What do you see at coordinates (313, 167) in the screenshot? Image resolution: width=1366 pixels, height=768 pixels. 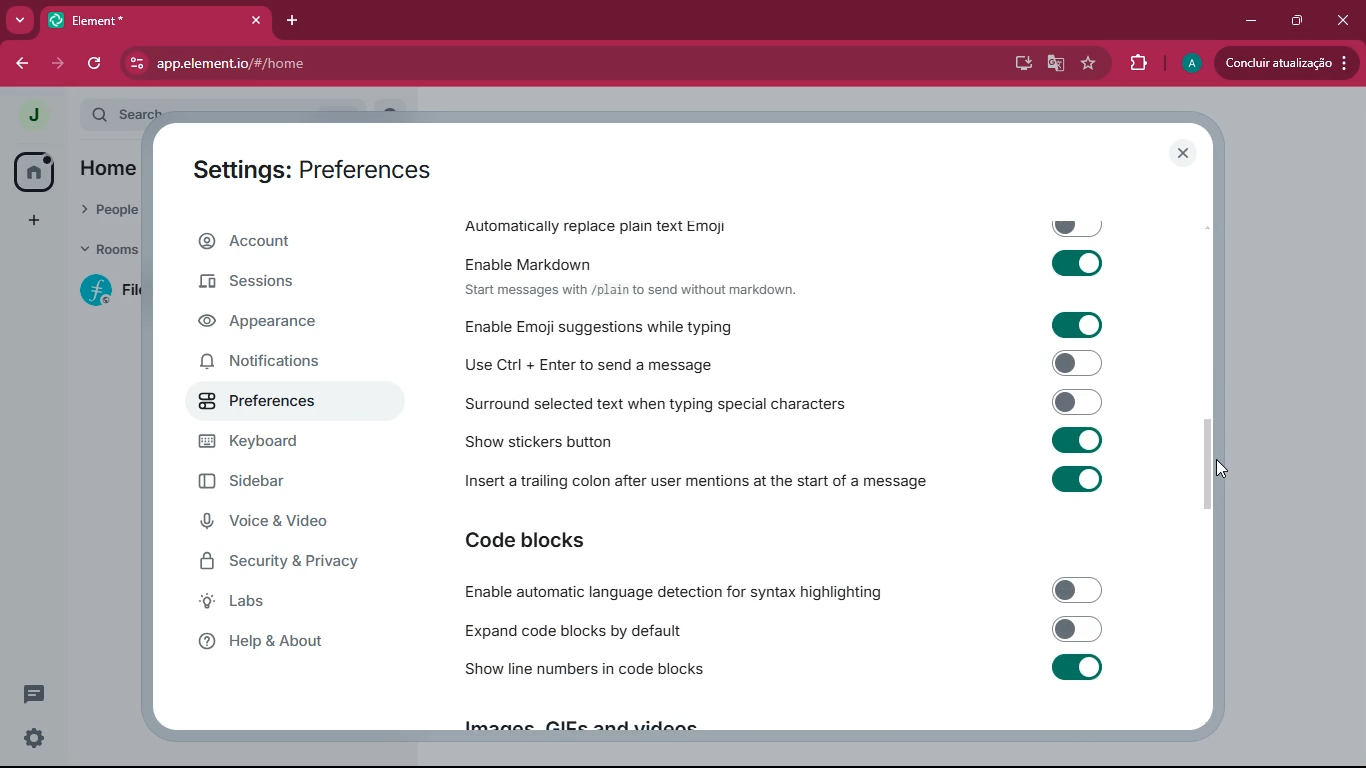 I see `settings: preferences` at bounding box center [313, 167].